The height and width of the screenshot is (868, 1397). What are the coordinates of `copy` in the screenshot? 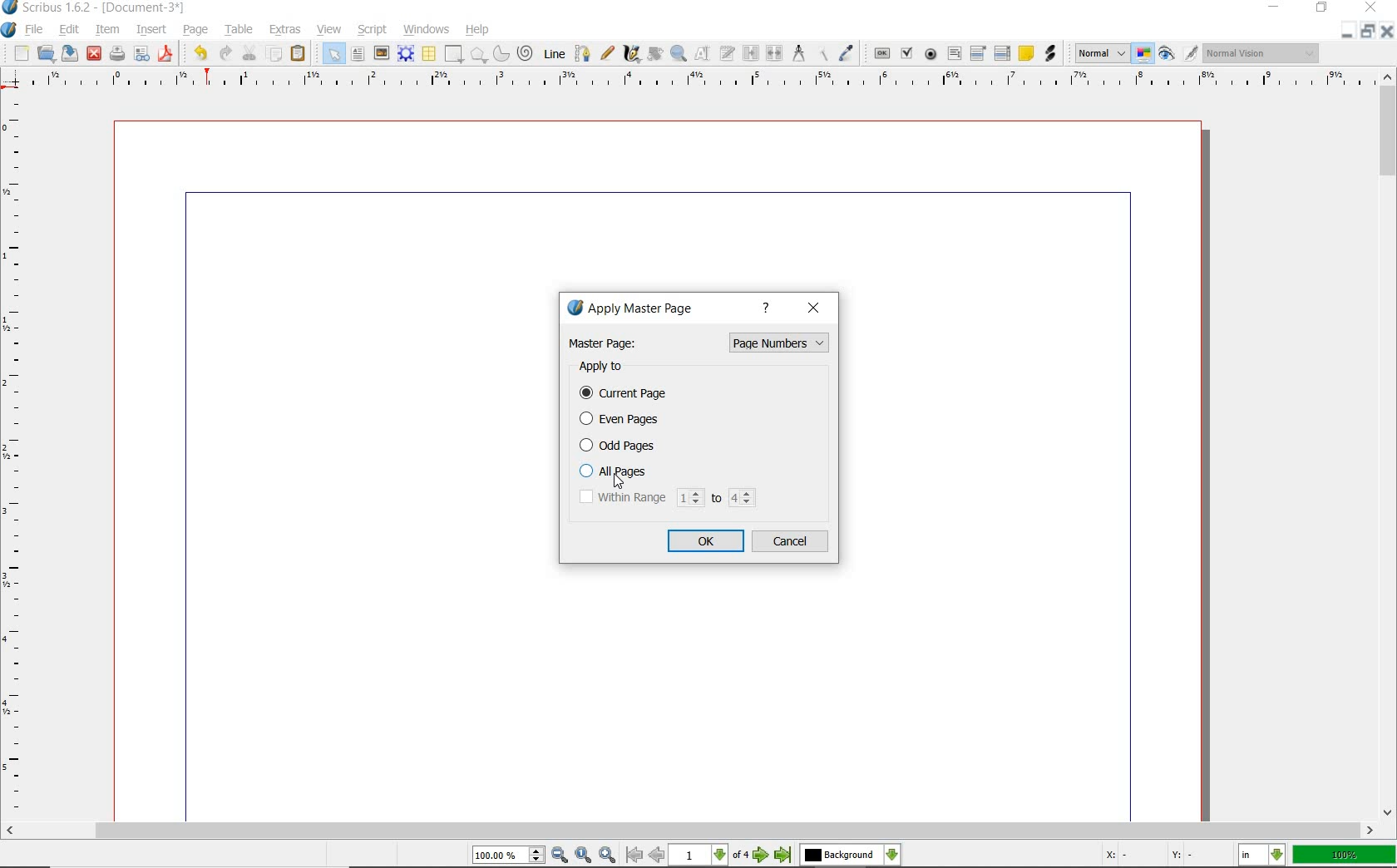 It's located at (274, 53).